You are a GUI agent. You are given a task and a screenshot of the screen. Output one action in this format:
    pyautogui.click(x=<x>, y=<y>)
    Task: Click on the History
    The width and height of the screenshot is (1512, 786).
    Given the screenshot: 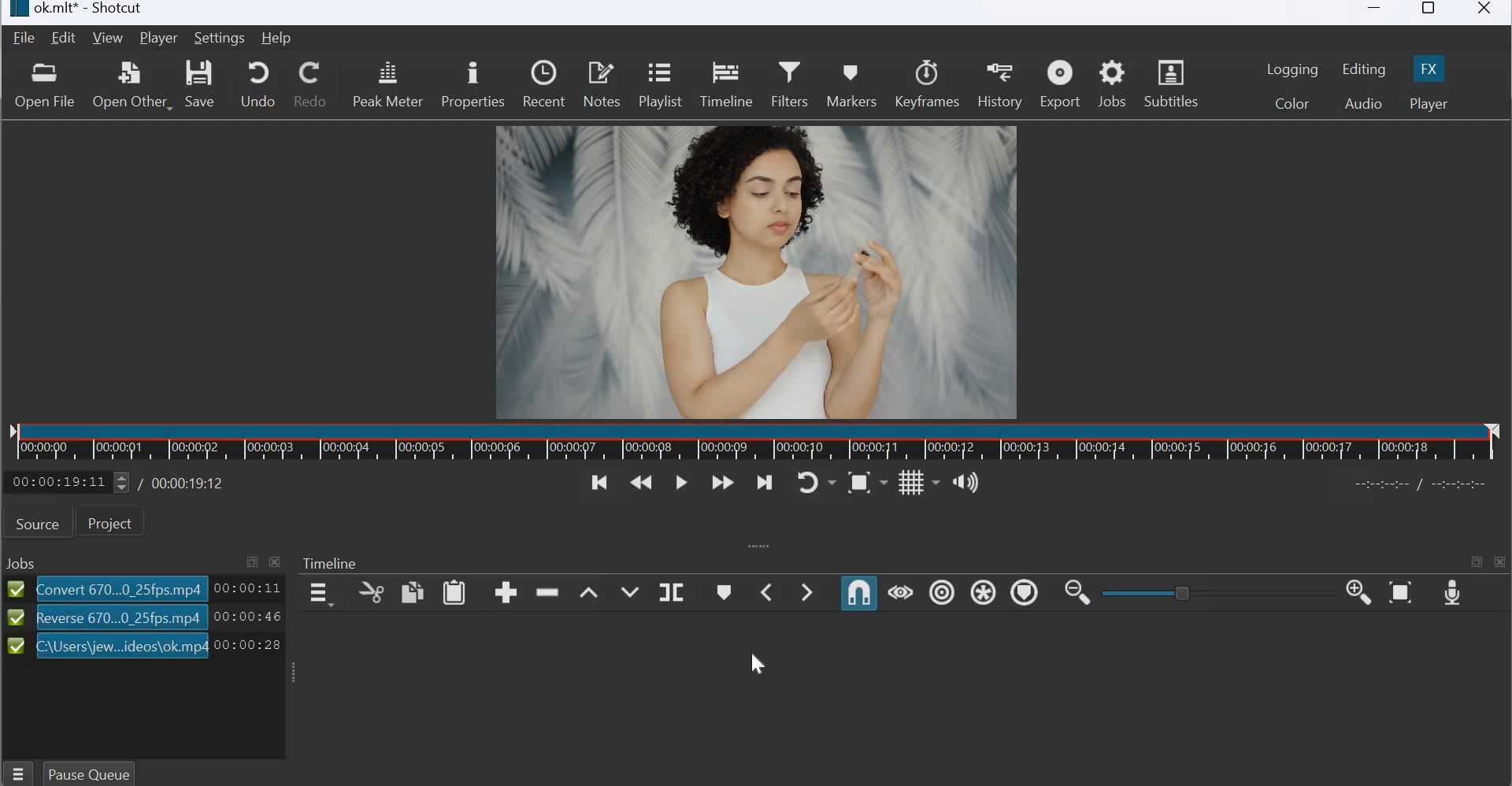 What is the action you would take?
    pyautogui.click(x=999, y=83)
    